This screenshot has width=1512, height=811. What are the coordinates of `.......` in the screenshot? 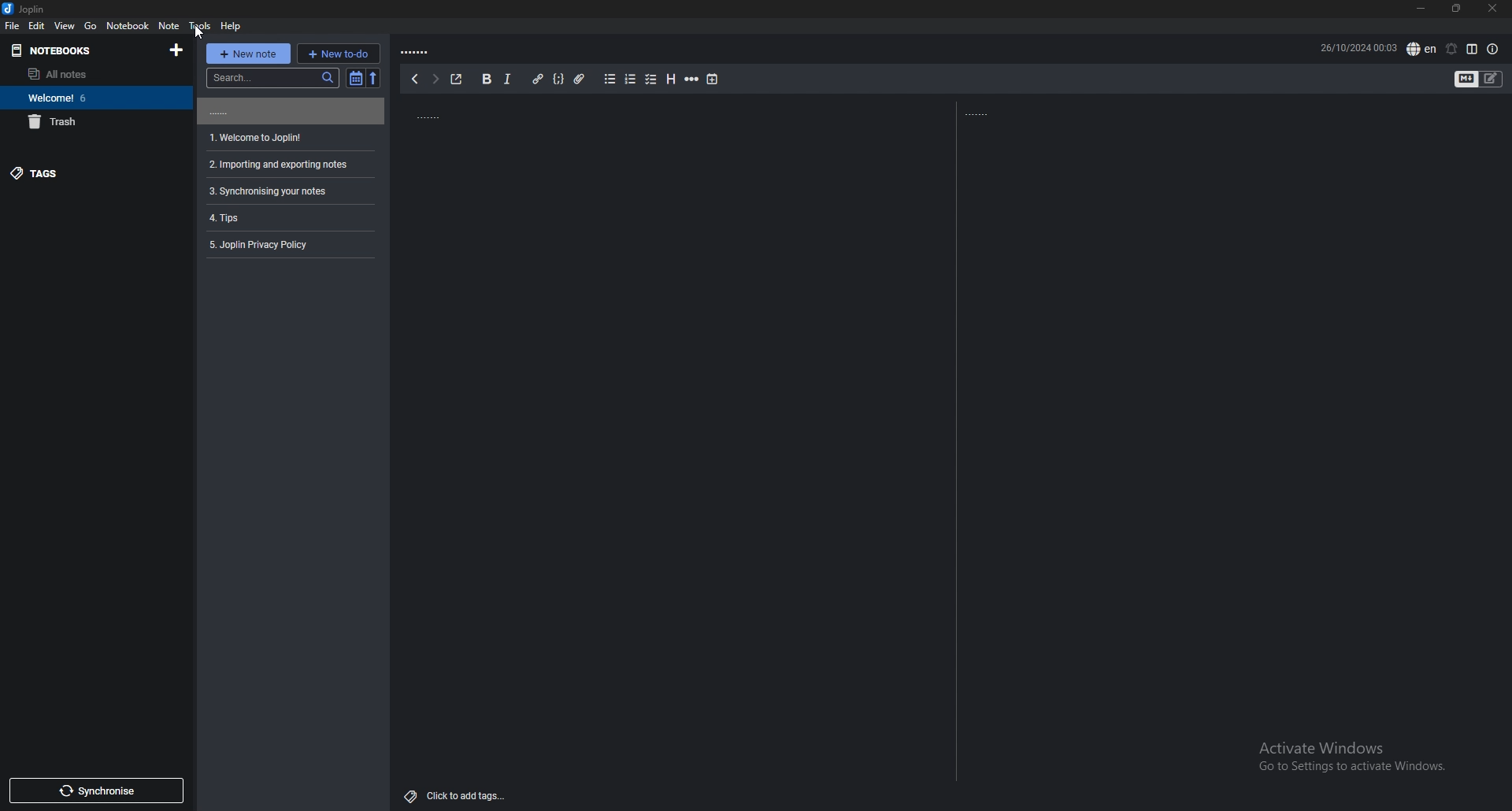 It's located at (419, 50).